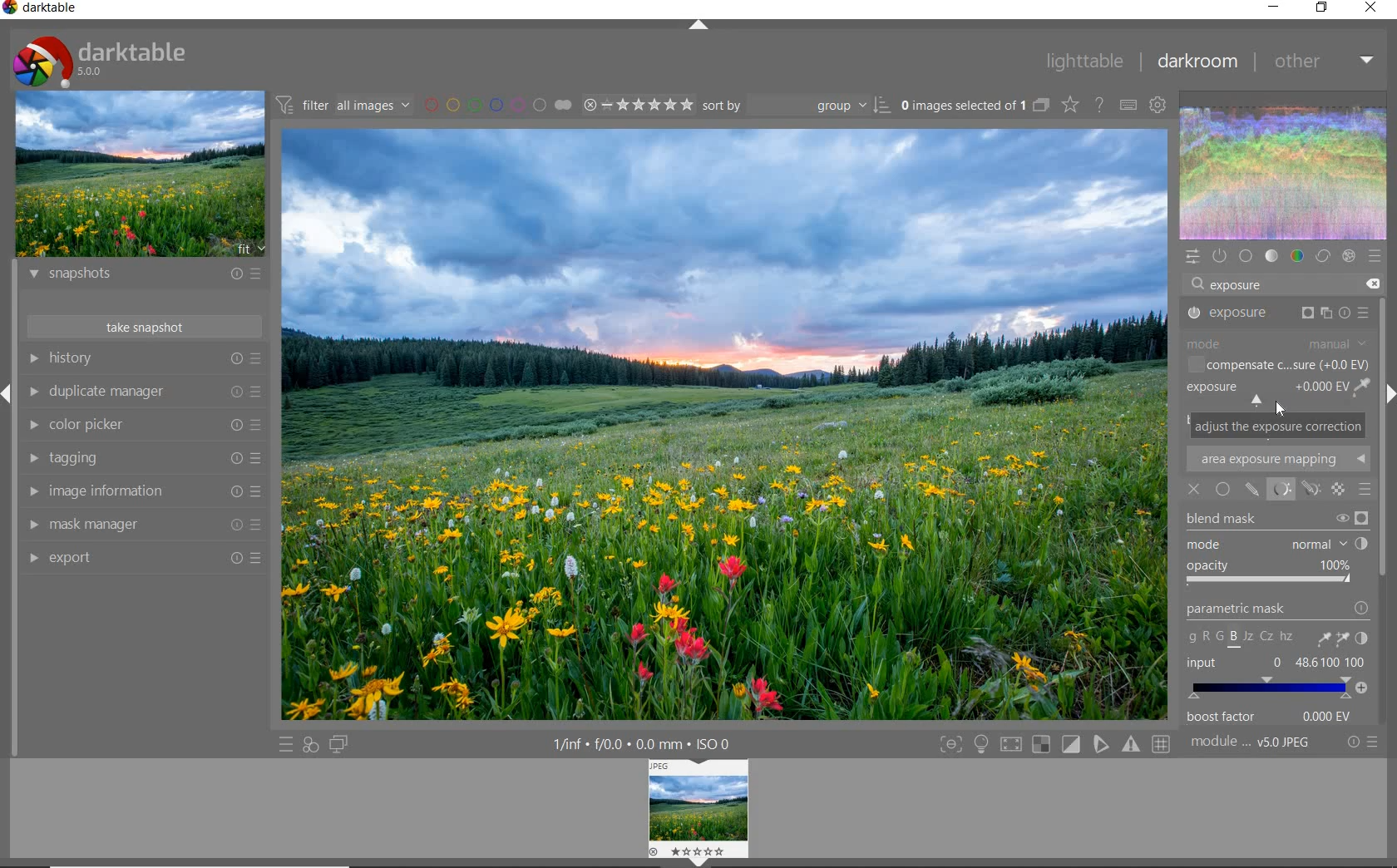 The height and width of the screenshot is (868, 1397). I want to click on image preview, so click(141, 175).